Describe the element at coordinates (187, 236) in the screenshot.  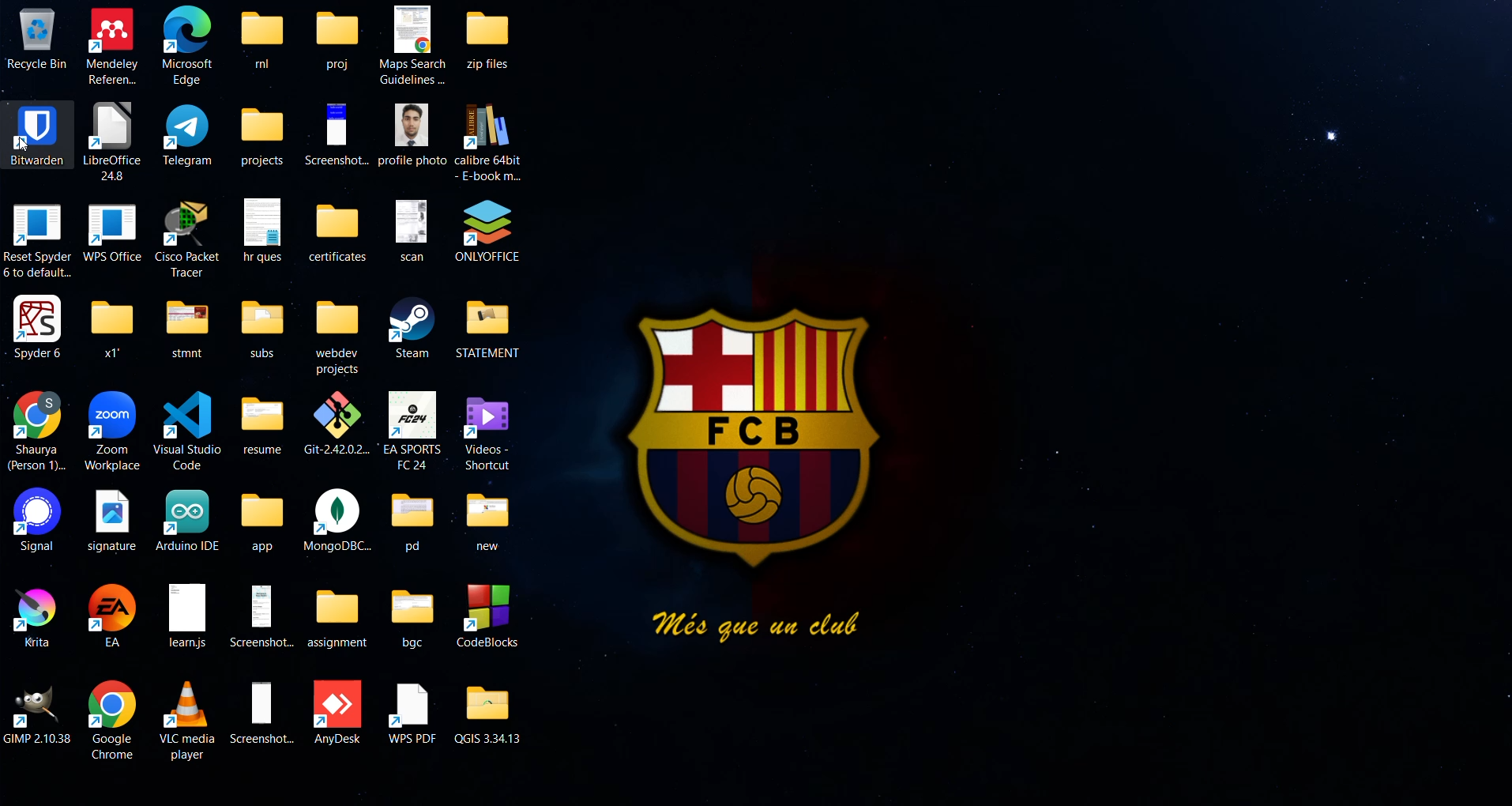
I see `Cisco Packet Tracer` at that location.